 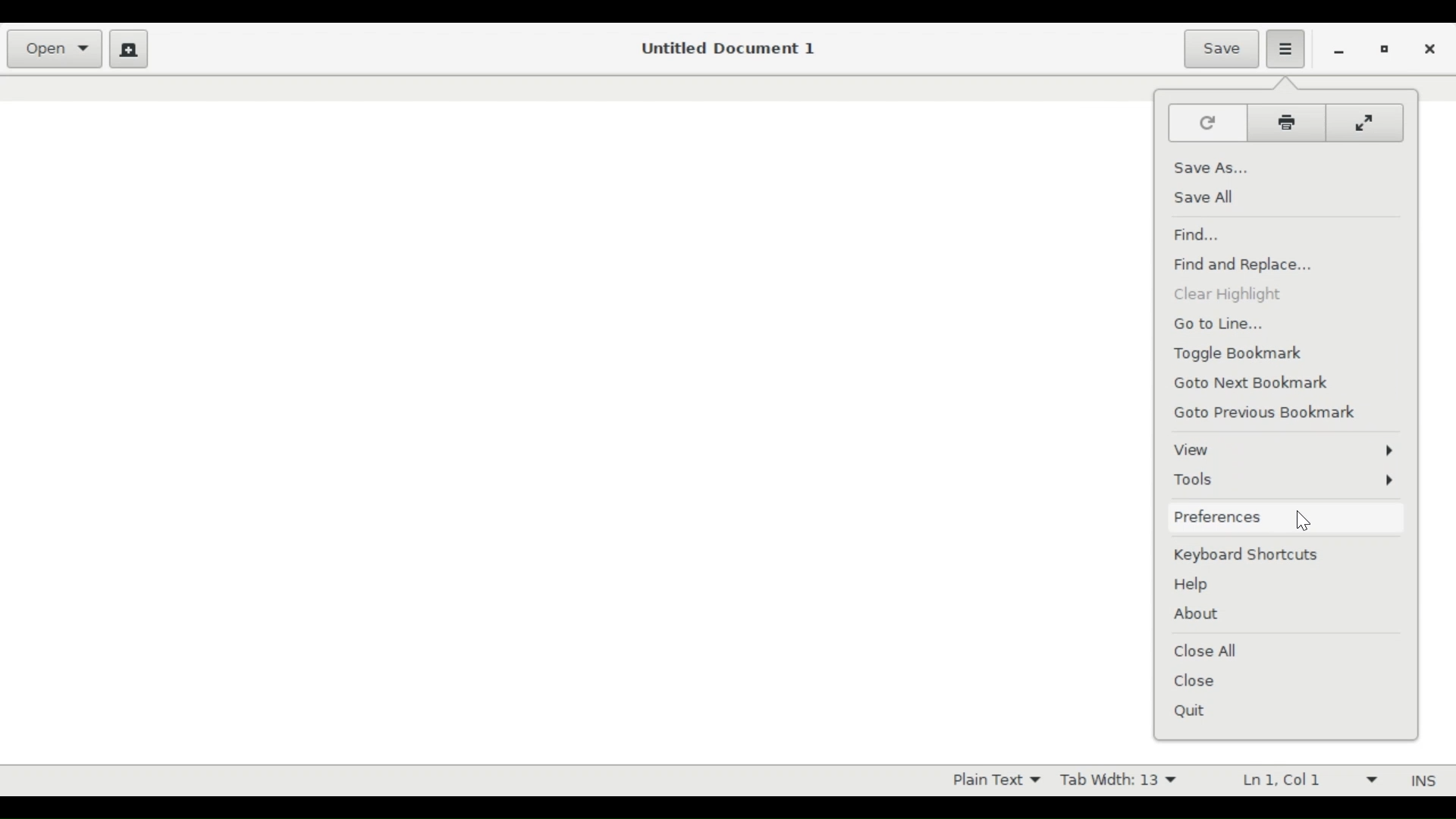 I want to click on Plain Text, so click(x=990, y=779).